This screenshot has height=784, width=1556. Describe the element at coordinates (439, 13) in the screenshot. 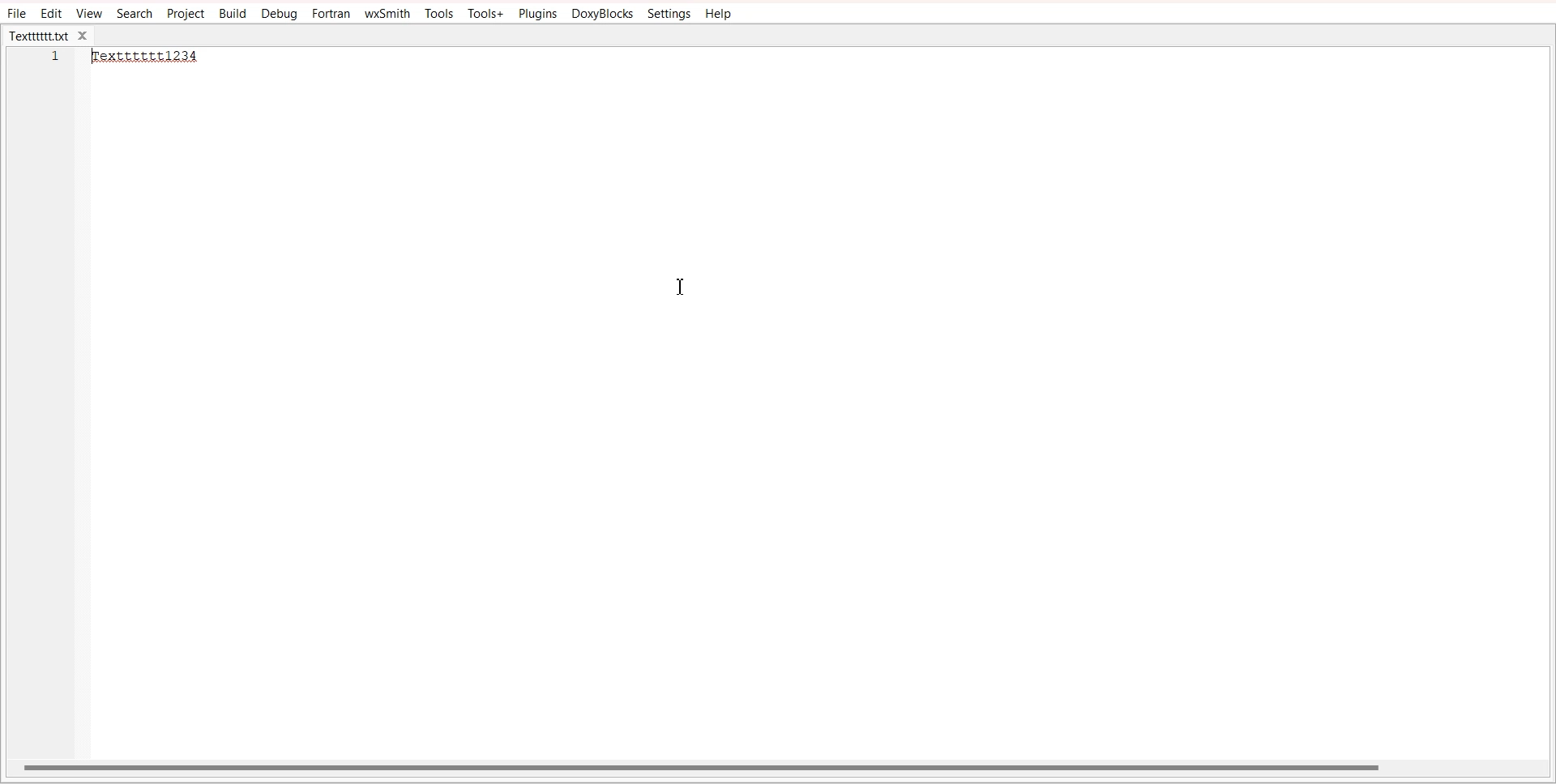

I see `Tools` at that location.